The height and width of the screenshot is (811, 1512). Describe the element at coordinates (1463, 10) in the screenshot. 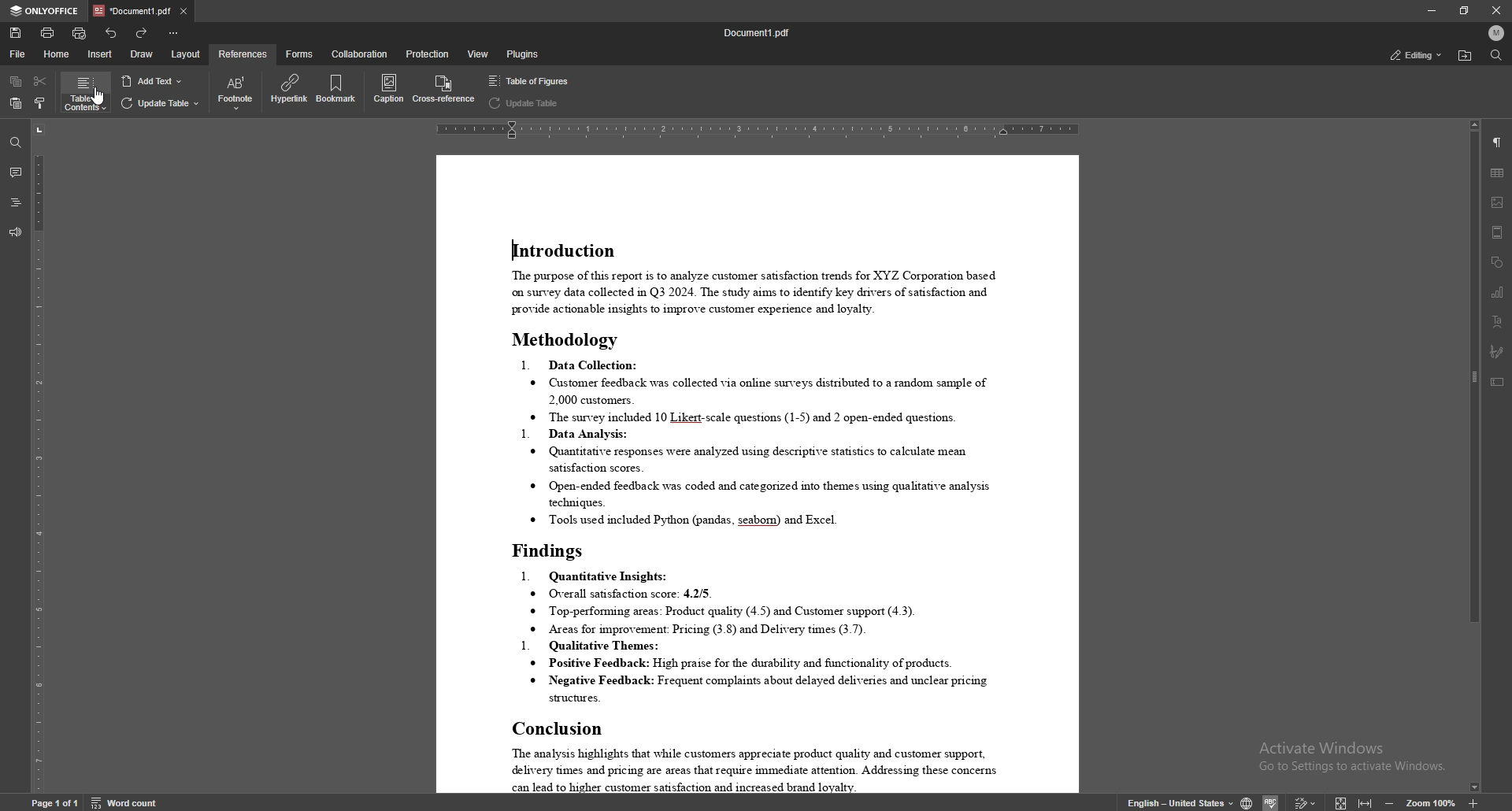

I see `resize` at that location.